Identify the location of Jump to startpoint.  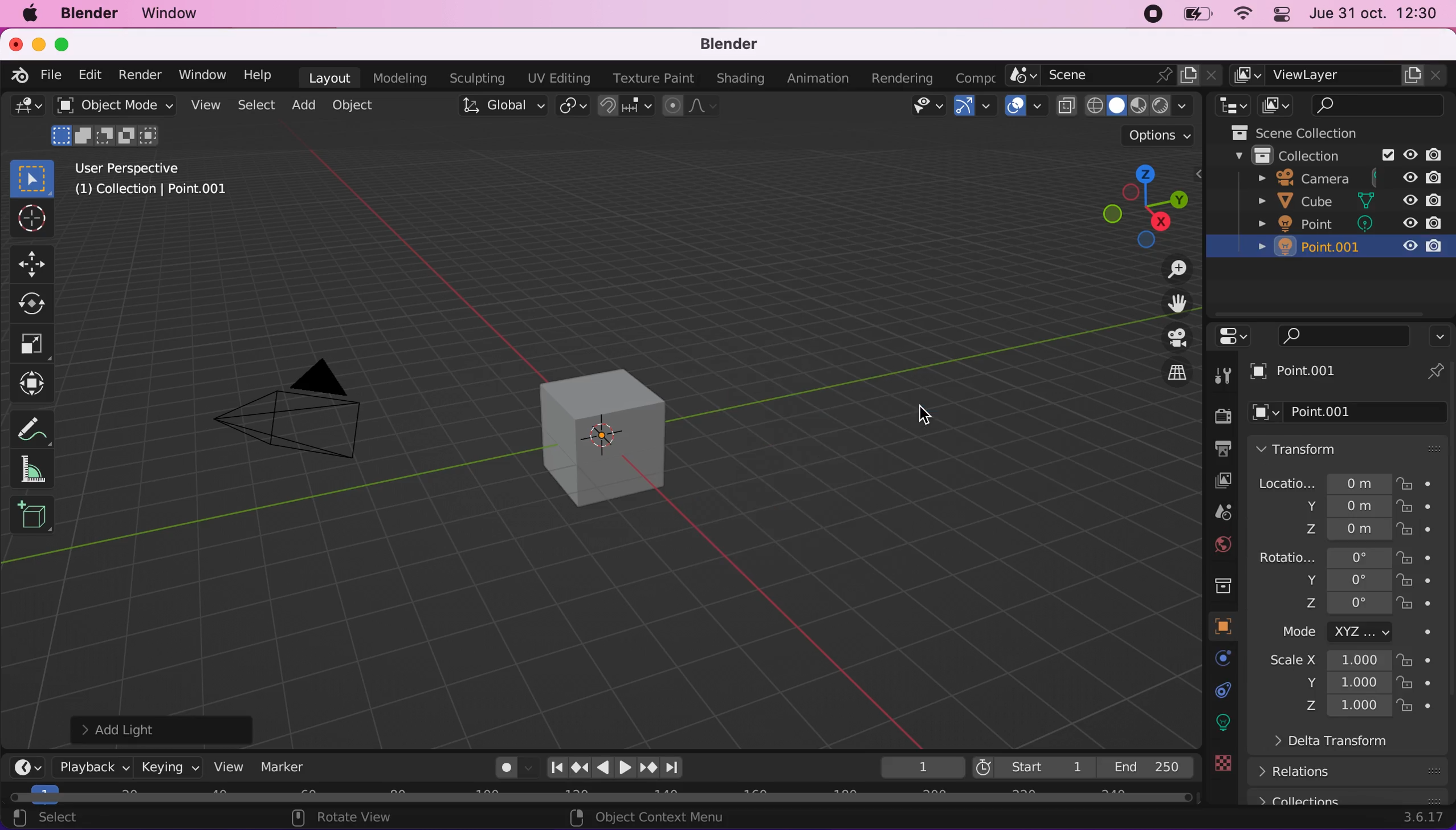
(552, 768).